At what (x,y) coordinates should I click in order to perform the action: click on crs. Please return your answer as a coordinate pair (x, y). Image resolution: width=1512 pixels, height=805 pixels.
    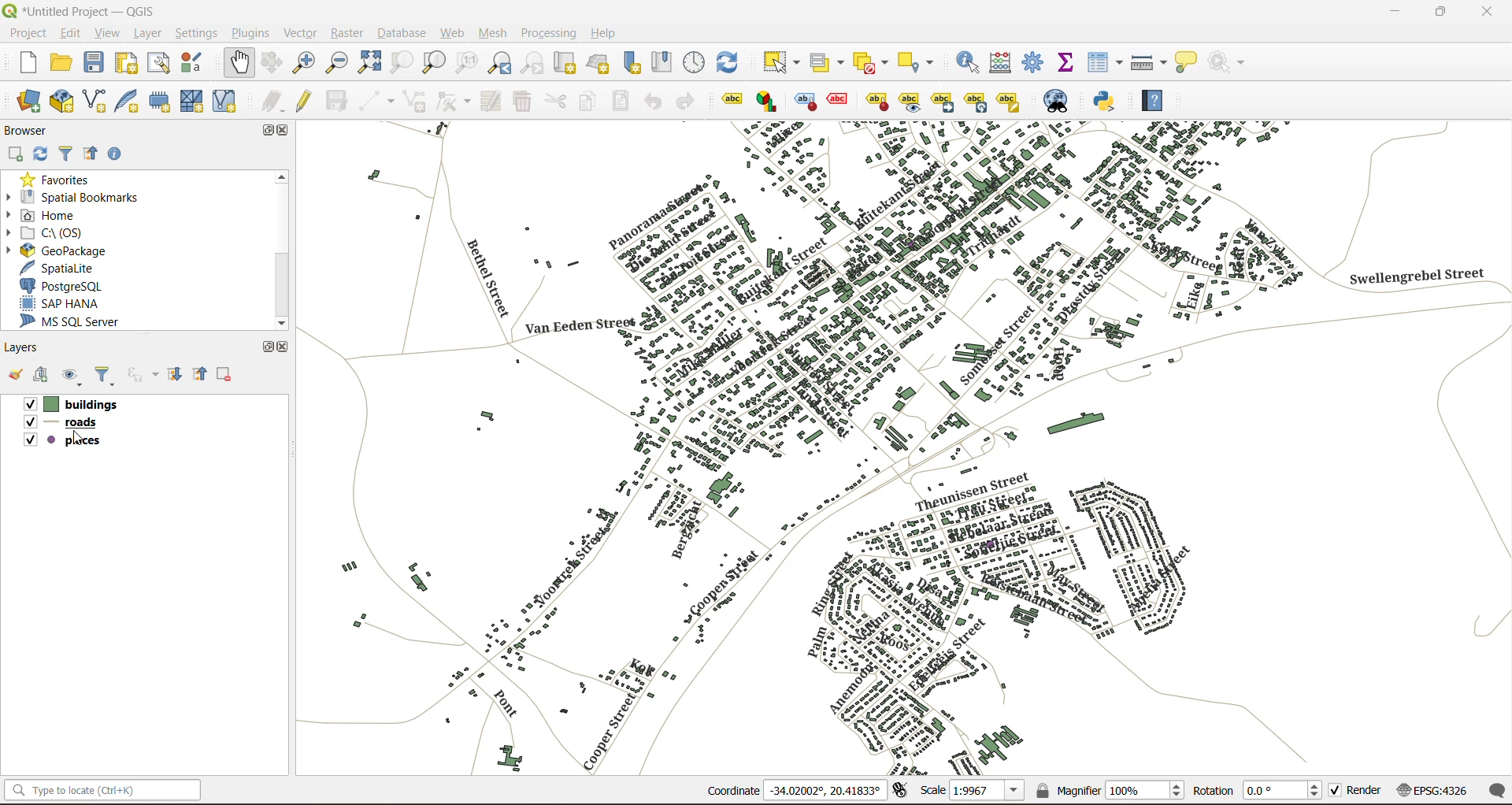
    Looking at the image, I should click on (1431, 787).